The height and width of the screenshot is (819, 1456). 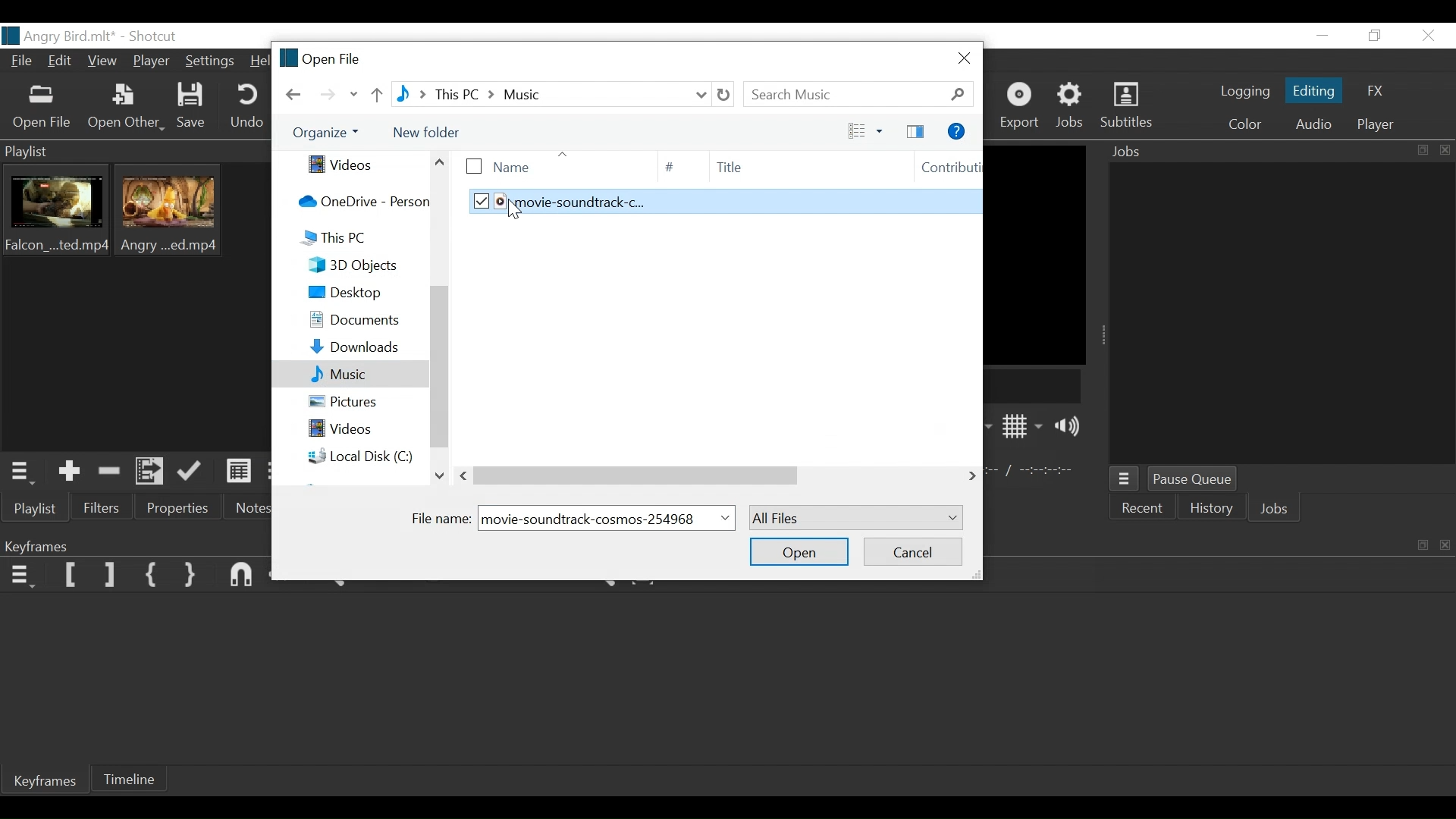 I want to click on Music, so click(x=348, y=374).